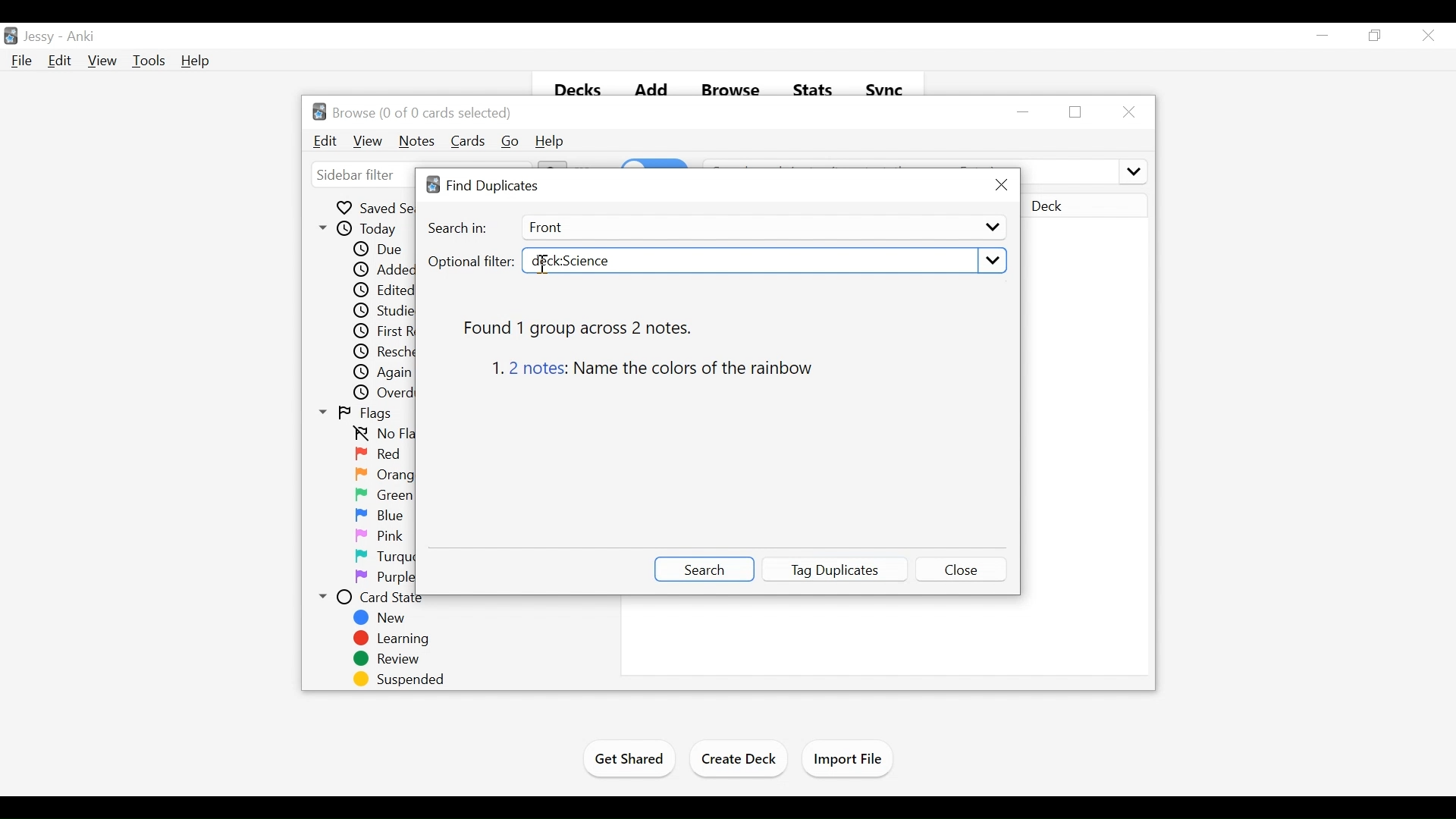  I want to click on Overdue, so click(385, 394).